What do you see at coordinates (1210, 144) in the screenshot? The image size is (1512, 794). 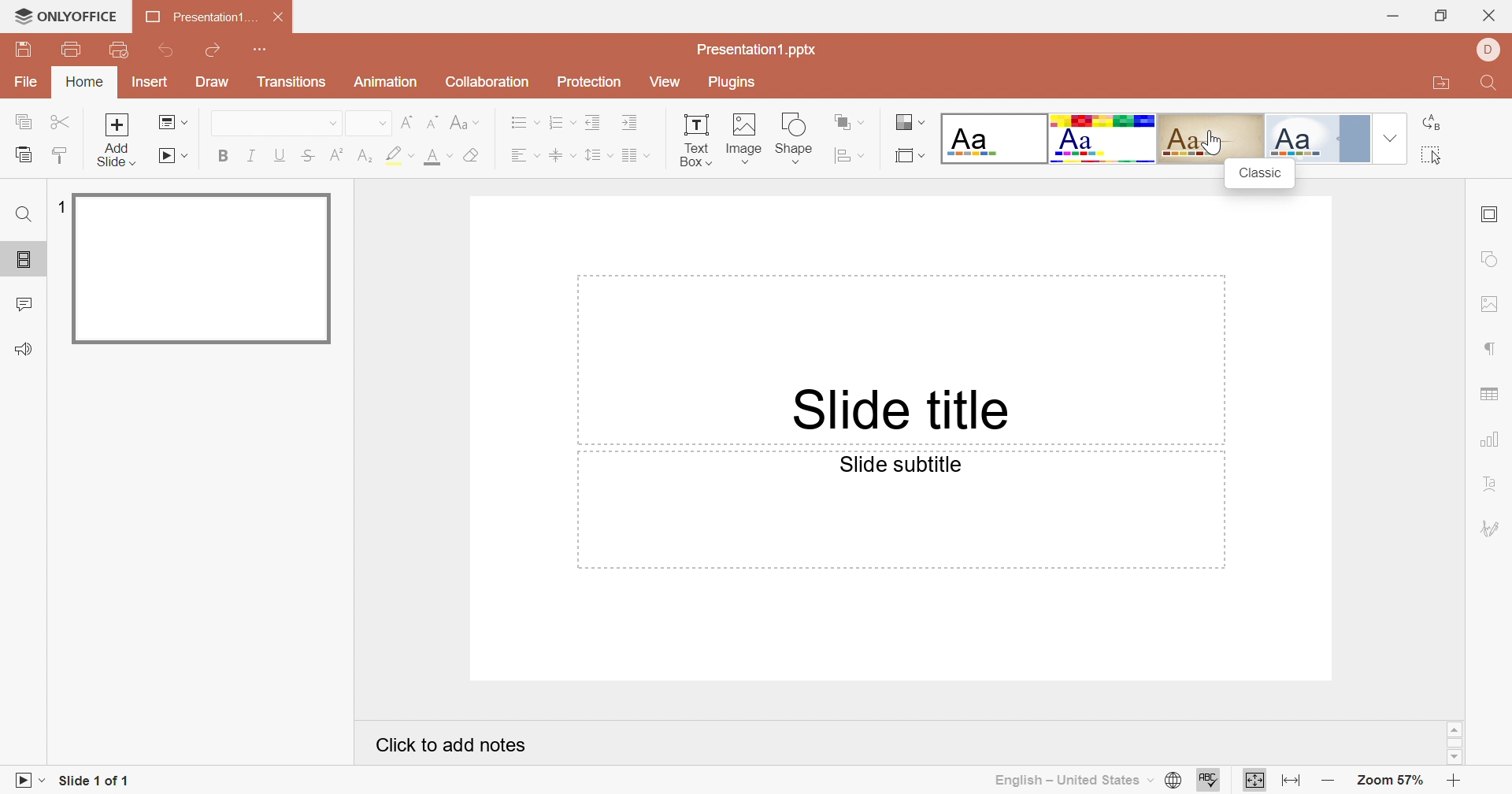 I see `cursor` at bounding box center [1210, 144].